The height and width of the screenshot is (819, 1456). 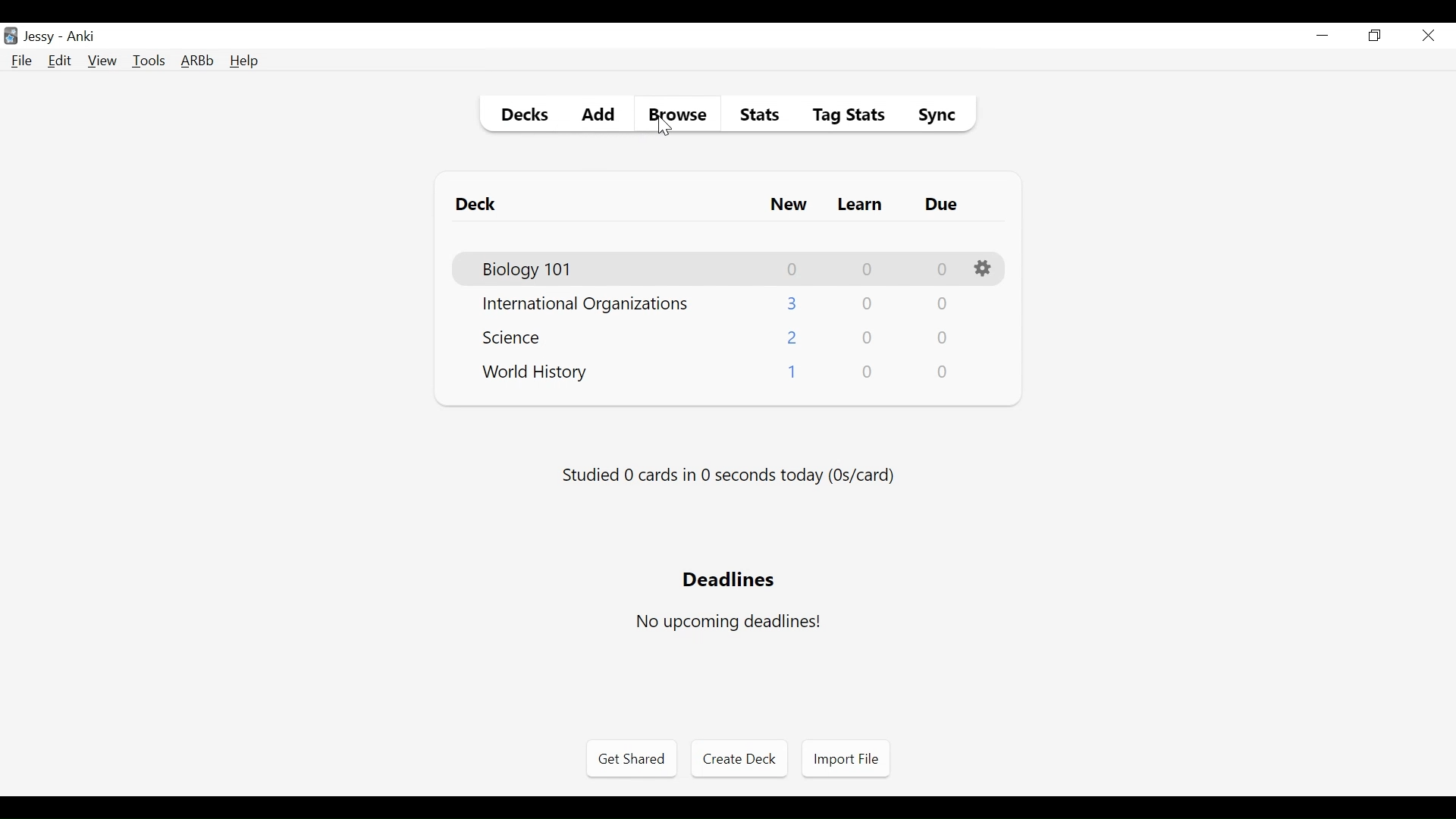 What do you see at coordinates (1376, 36) in the screenshot?
I see `Restore` at bounding box center [1376, 36].